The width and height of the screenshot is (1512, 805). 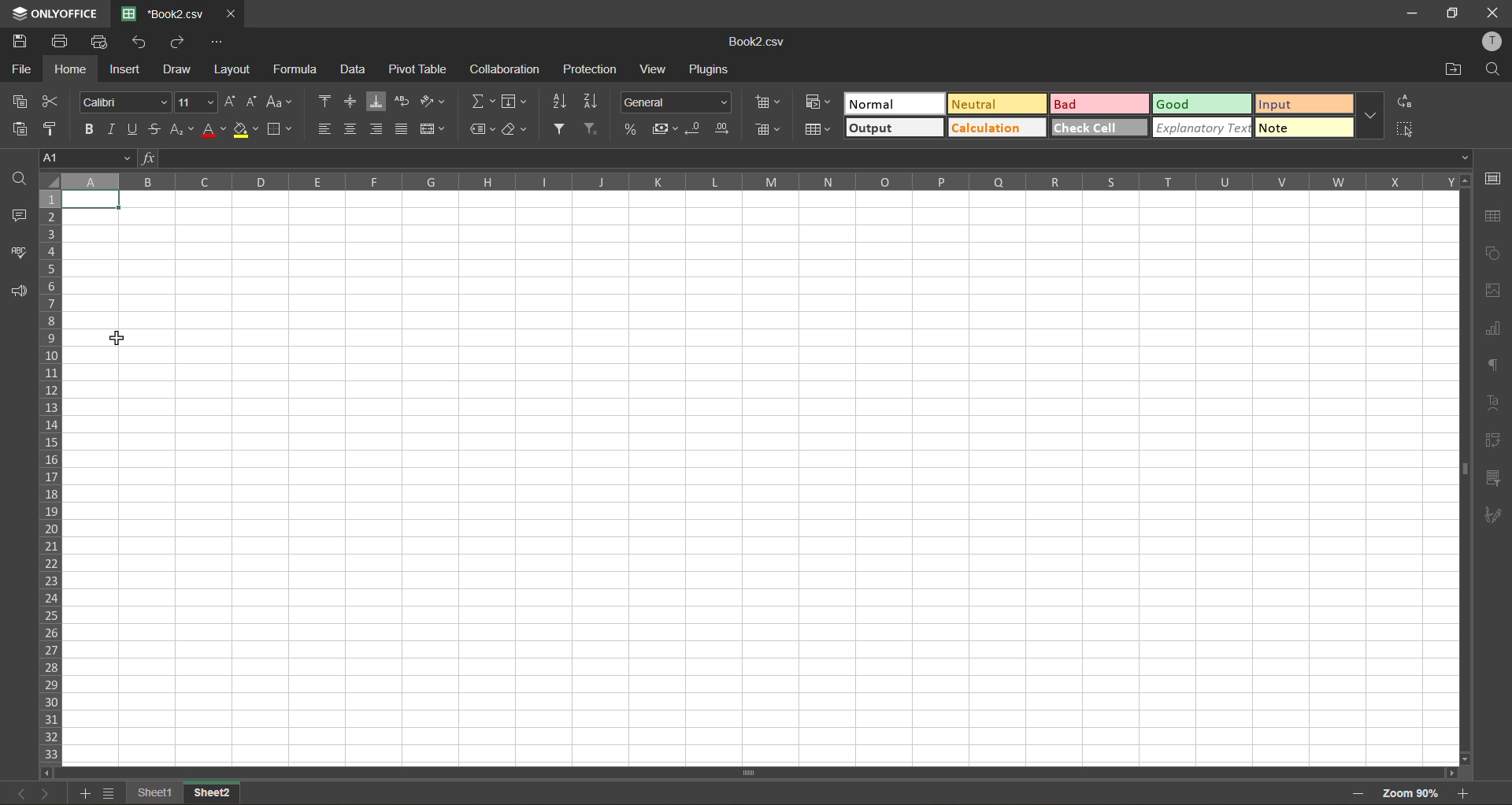 What do you see at coordinates (358, 69) in the screenshot?
I see `data` at bounding box center [358, 69].